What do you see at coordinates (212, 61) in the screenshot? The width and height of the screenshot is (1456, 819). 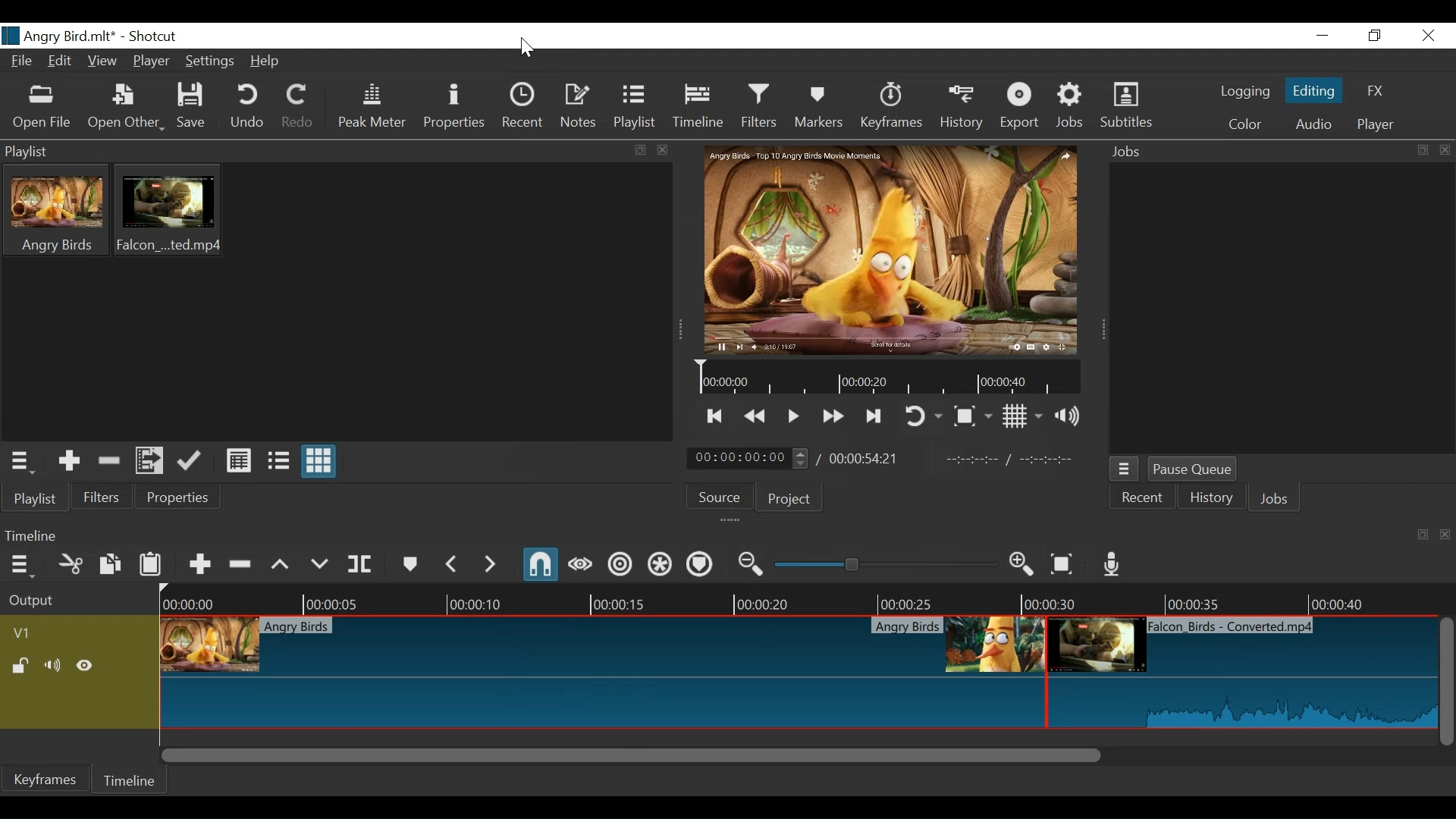 I see `Settings` at bounding box center [212, 61].